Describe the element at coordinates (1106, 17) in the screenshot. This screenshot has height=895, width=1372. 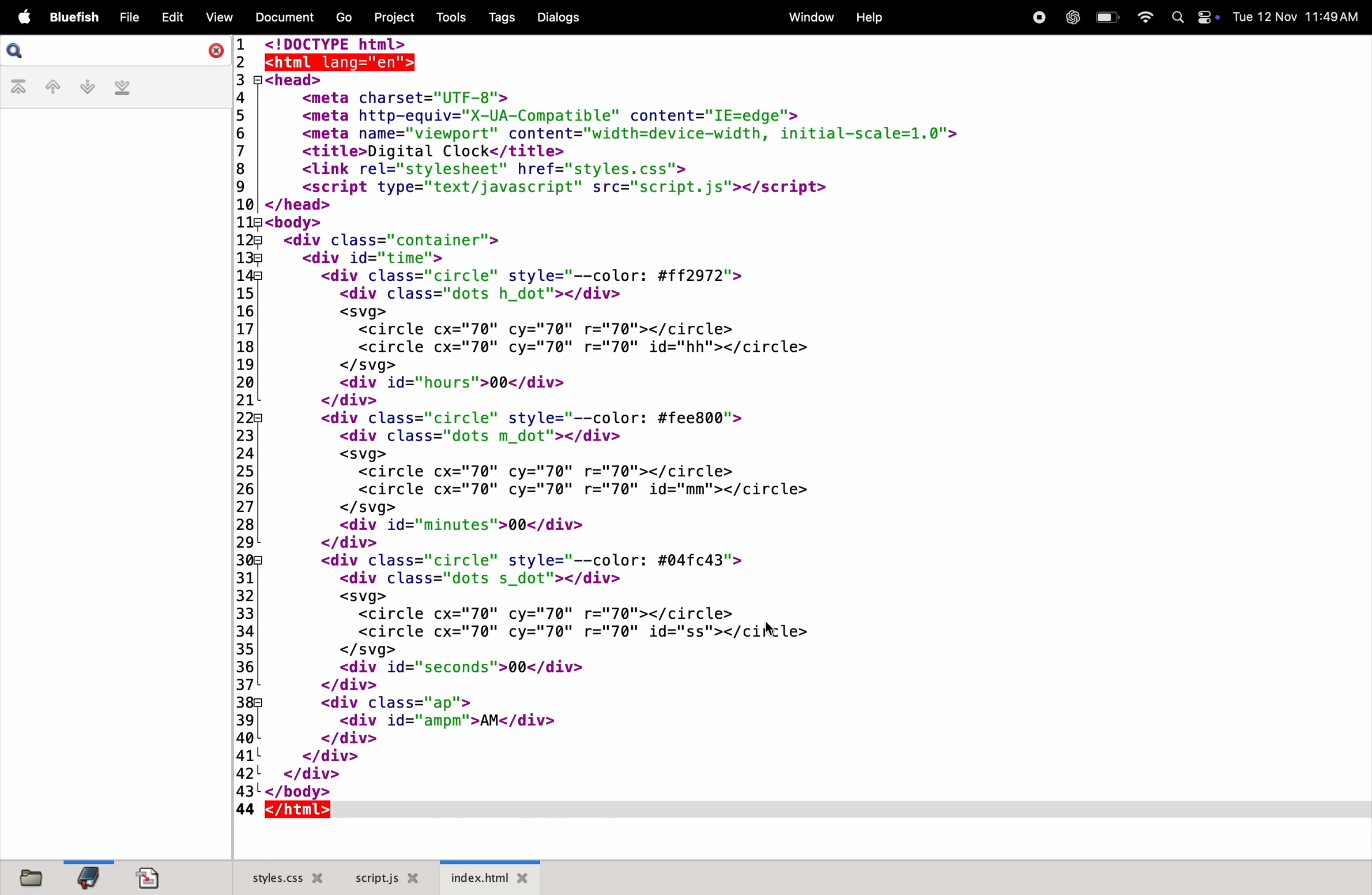
I see `battery` at that location.